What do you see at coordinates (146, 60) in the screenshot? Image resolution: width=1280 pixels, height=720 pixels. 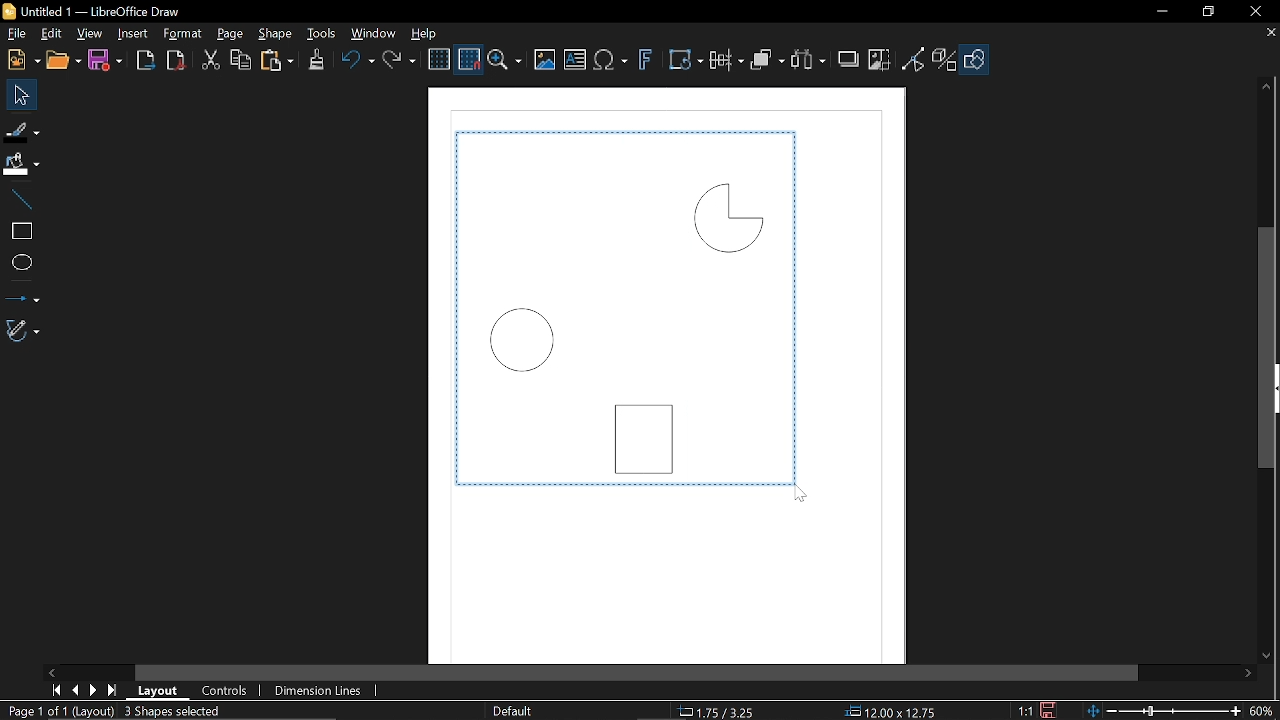 I see `Export` at bounding box center [146, 60].